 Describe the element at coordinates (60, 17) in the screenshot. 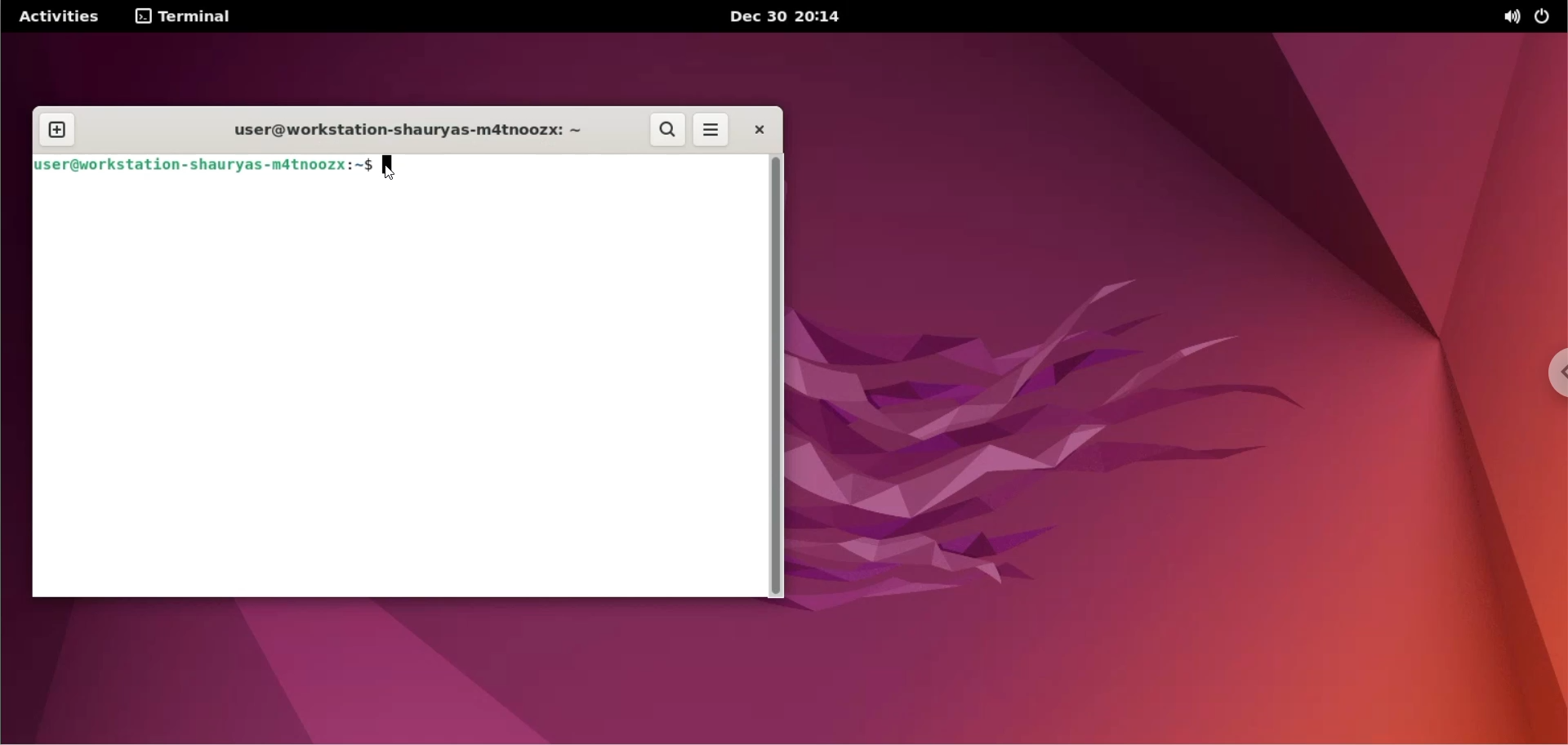

I see `Activities` at that location.